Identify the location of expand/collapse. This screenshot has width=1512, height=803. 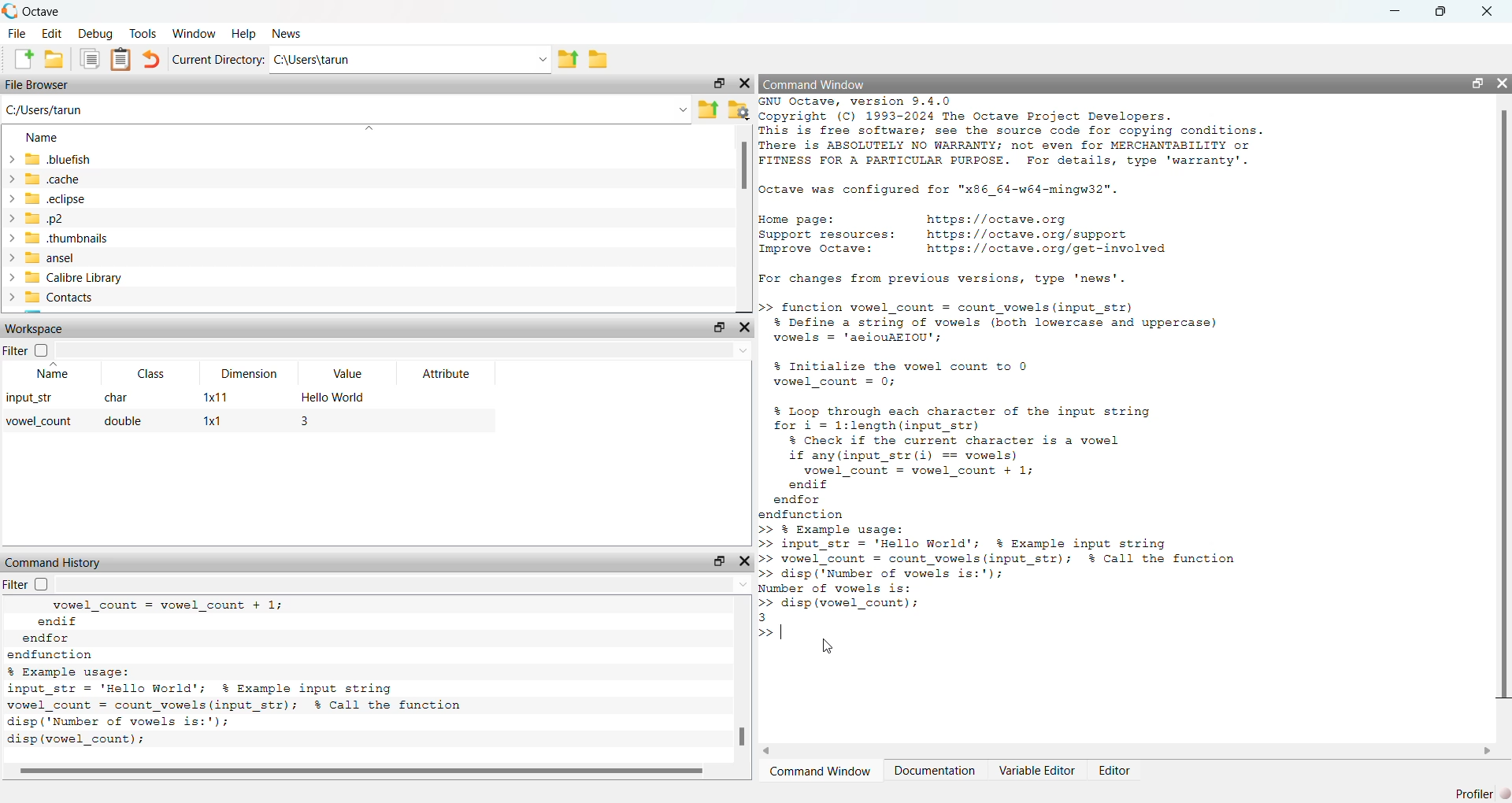
(11, 159).